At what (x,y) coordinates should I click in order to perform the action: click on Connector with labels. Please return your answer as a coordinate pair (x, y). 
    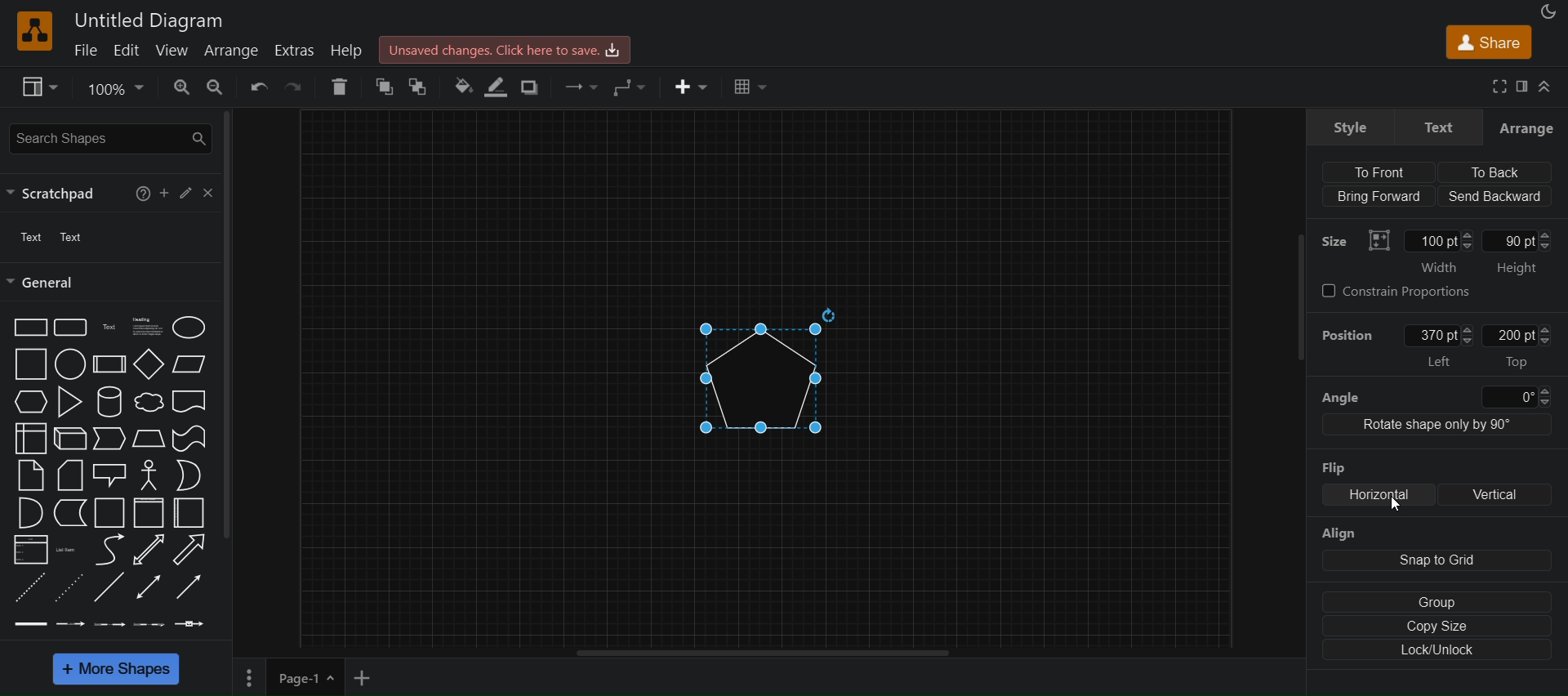
    Looking at the image, I should click on (69, 624).